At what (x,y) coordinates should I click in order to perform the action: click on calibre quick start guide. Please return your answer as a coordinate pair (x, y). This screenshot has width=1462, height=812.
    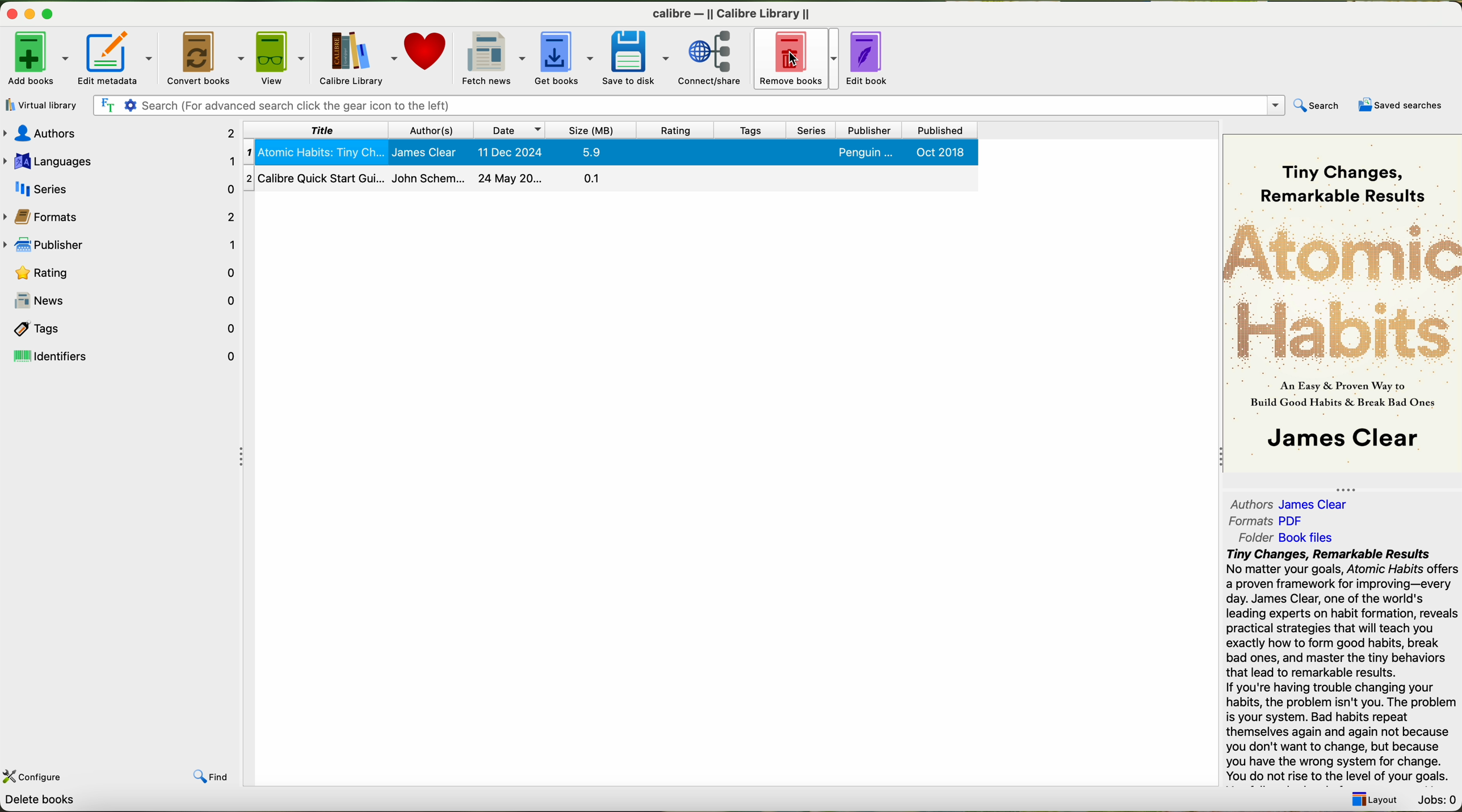
    Looking at the image, I should click on (610, 178).